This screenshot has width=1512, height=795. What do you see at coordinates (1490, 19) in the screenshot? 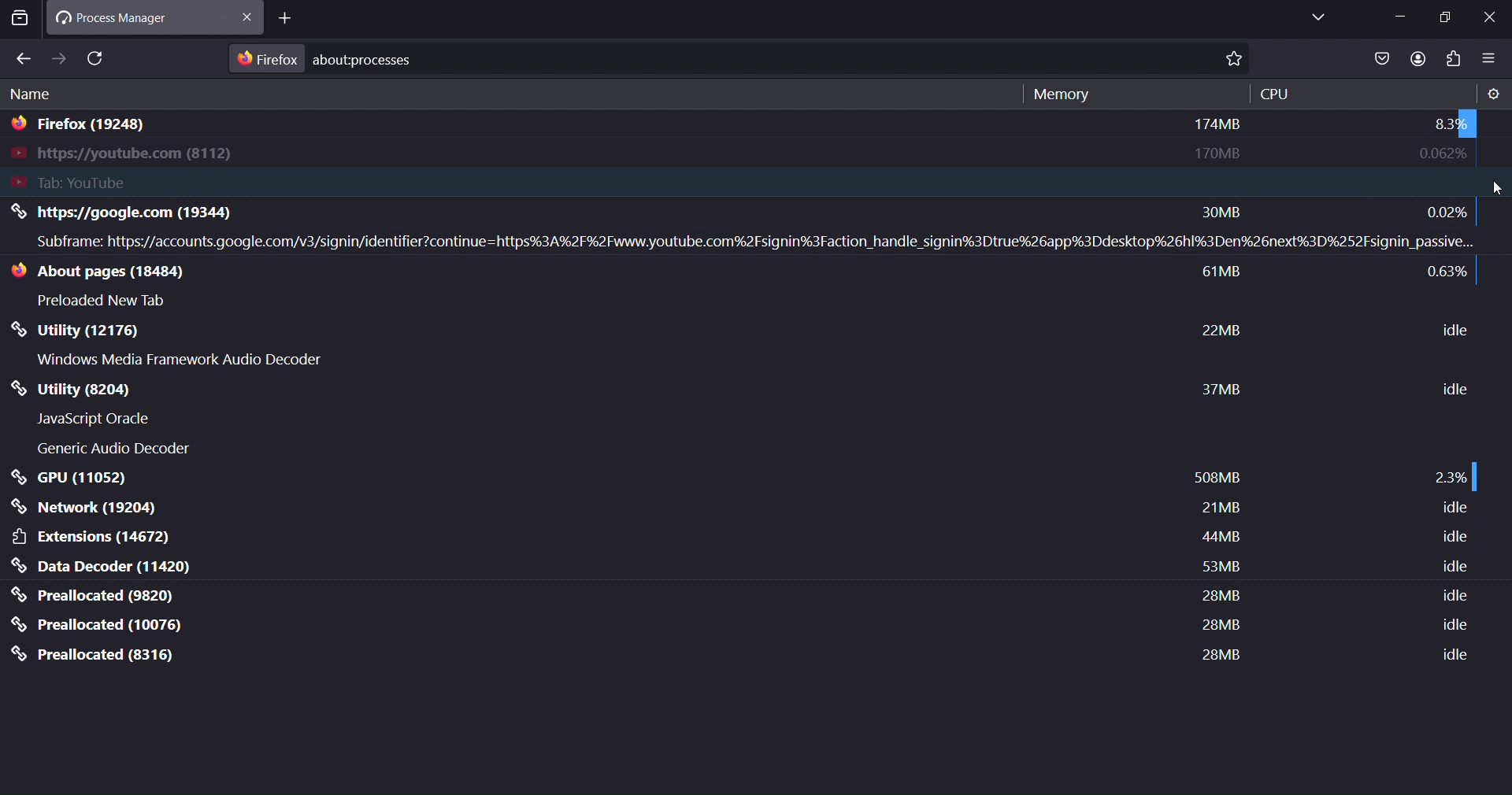
I see `close` at bounding box center [1490, 19].